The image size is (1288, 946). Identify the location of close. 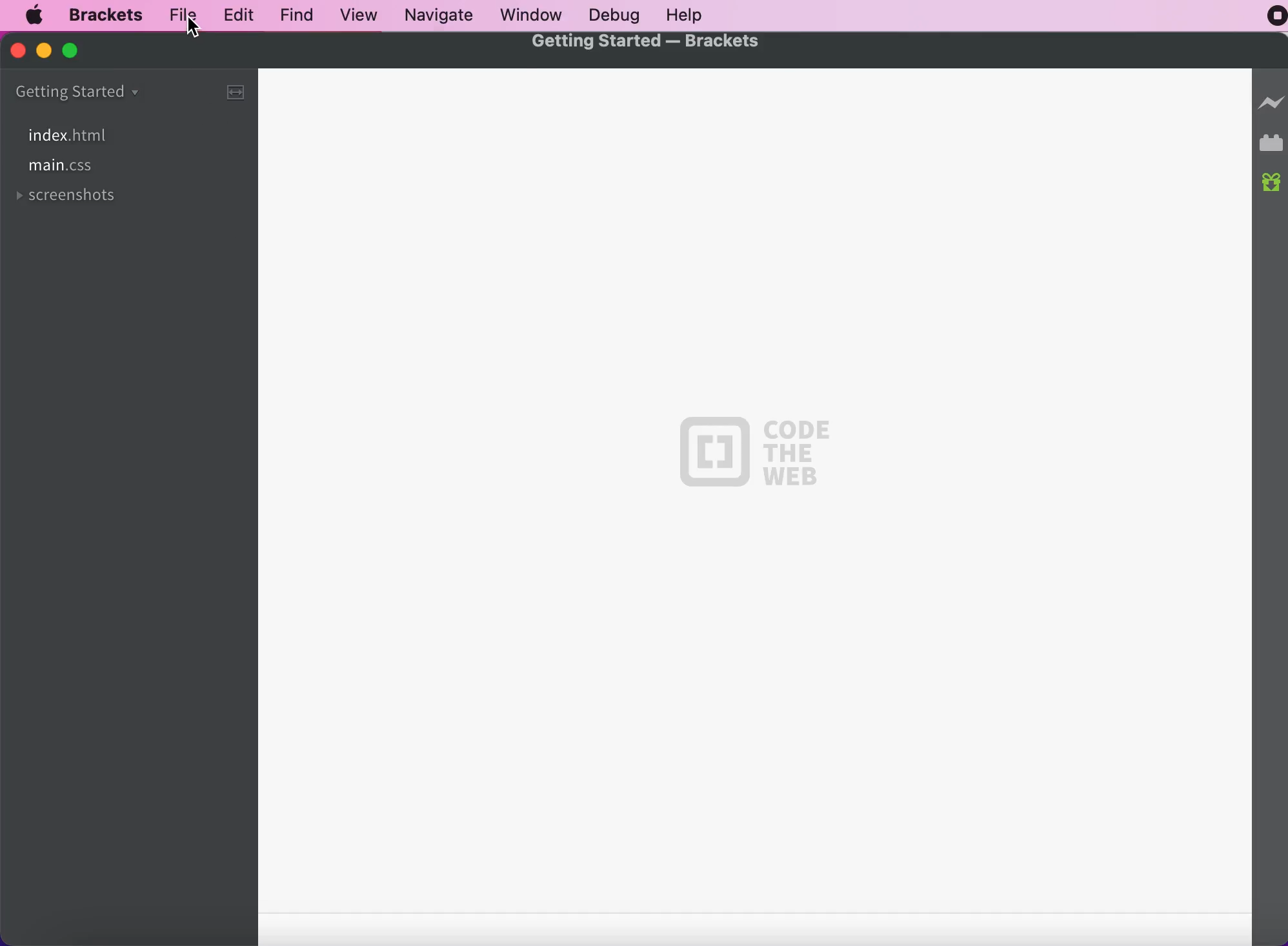
(17, 53).